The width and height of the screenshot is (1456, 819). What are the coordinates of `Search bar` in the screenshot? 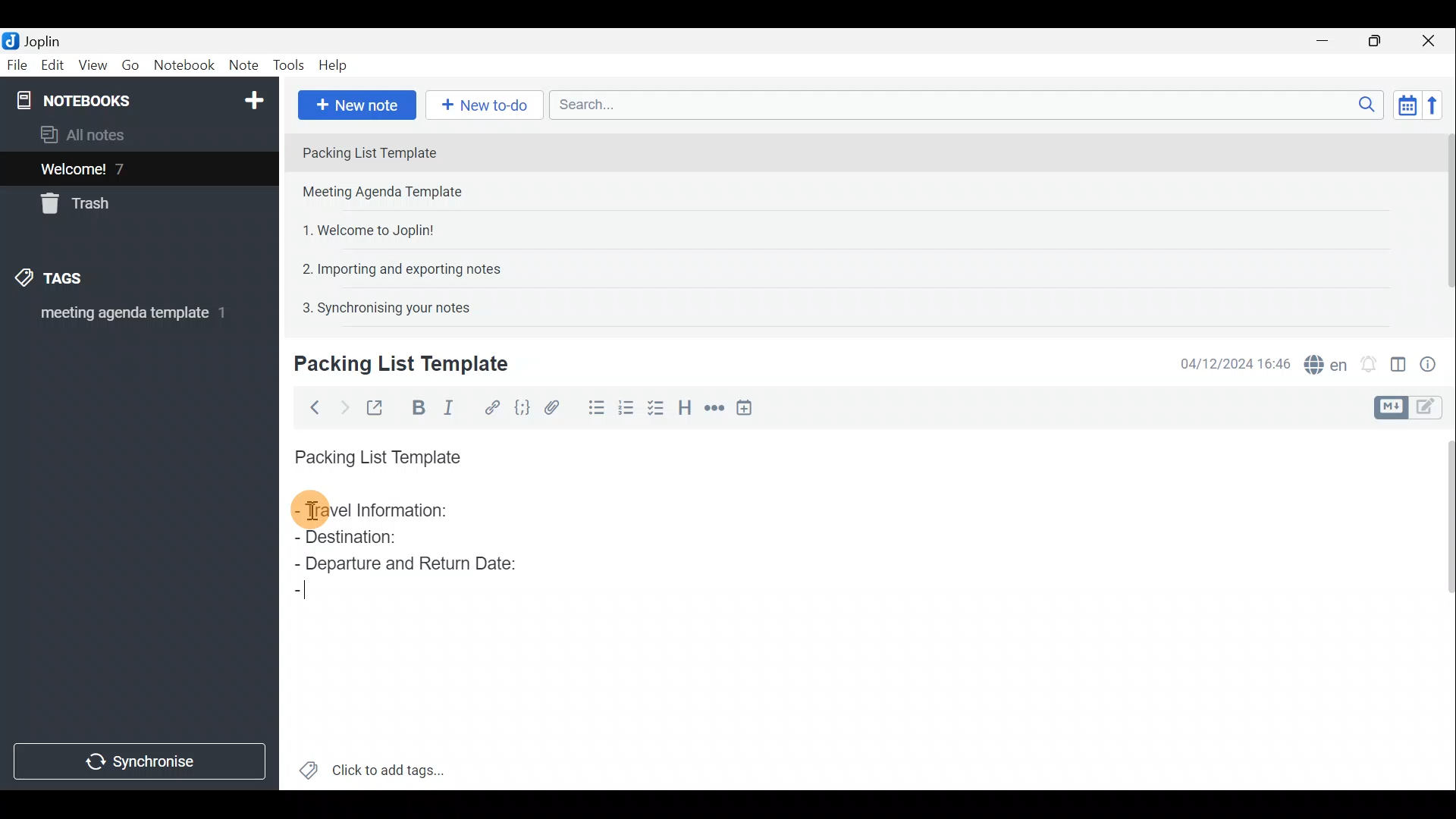 It's located at (962, 106).